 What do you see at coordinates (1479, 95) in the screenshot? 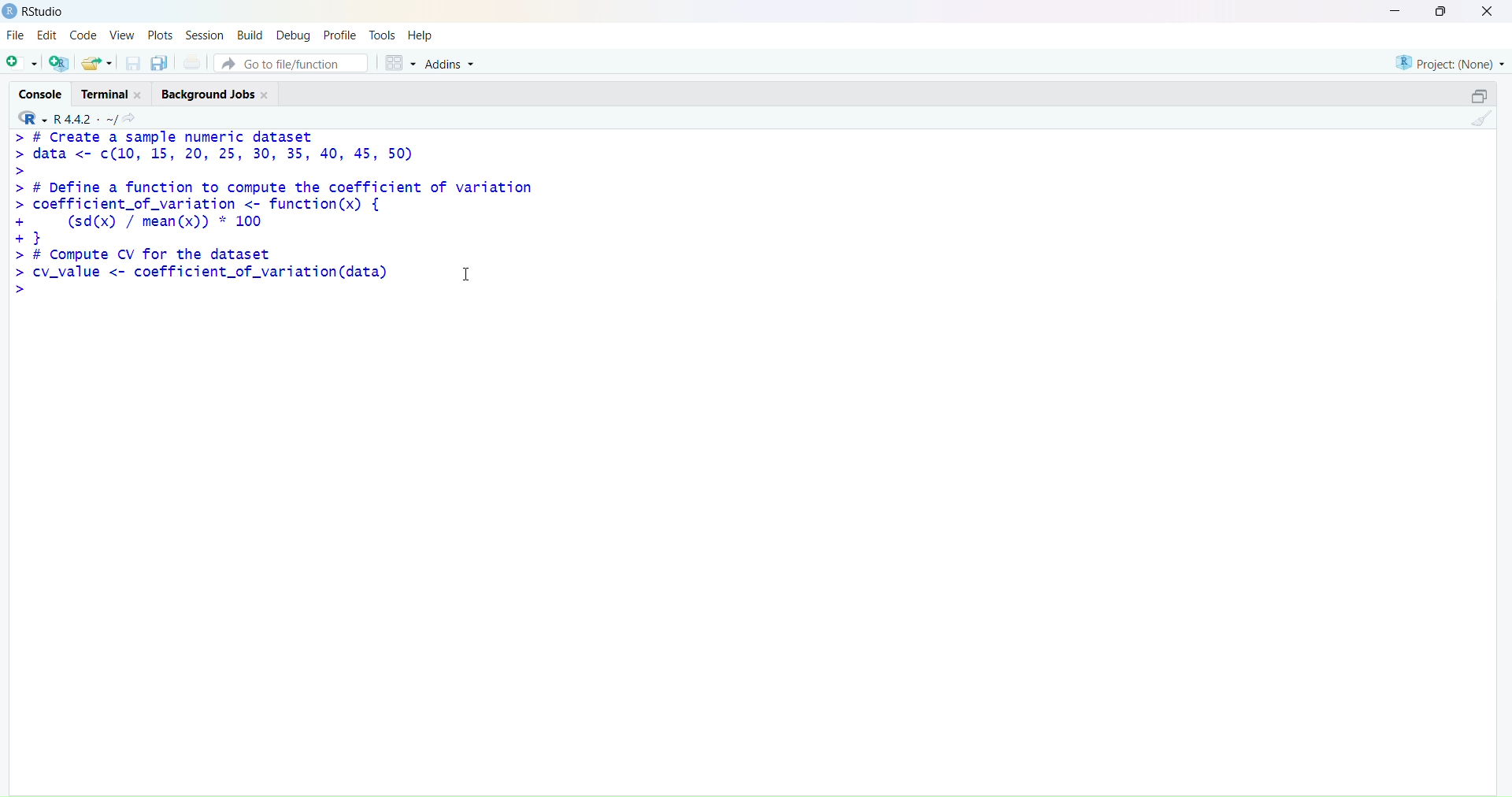
I see `open in separate window ` at bounding box center [1479, 95].